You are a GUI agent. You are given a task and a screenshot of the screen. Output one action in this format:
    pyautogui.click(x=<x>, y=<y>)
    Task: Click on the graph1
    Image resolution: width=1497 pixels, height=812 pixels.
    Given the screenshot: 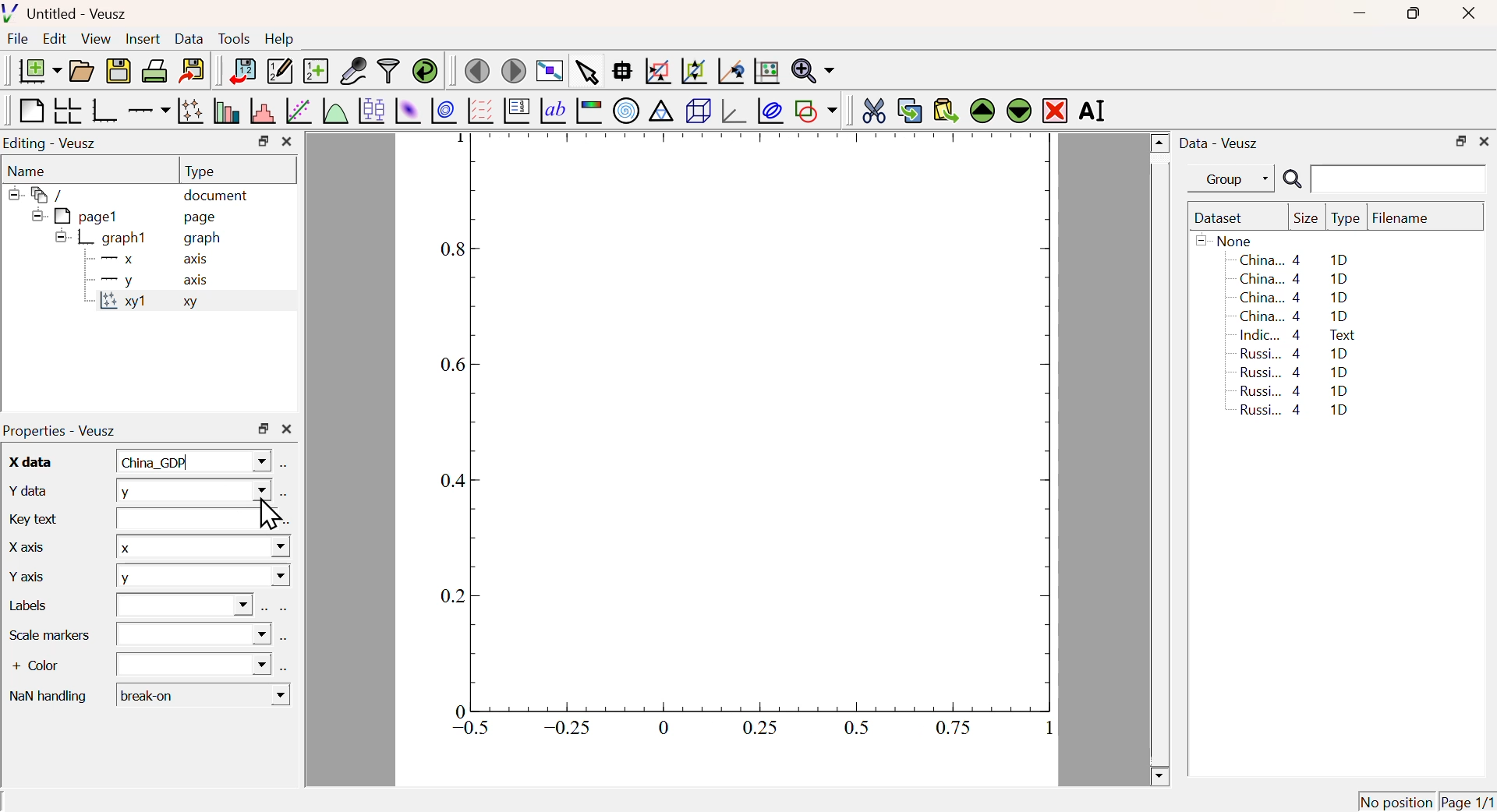 What is the action you would take?
    pyautogui.click(x=103, y=237)
    